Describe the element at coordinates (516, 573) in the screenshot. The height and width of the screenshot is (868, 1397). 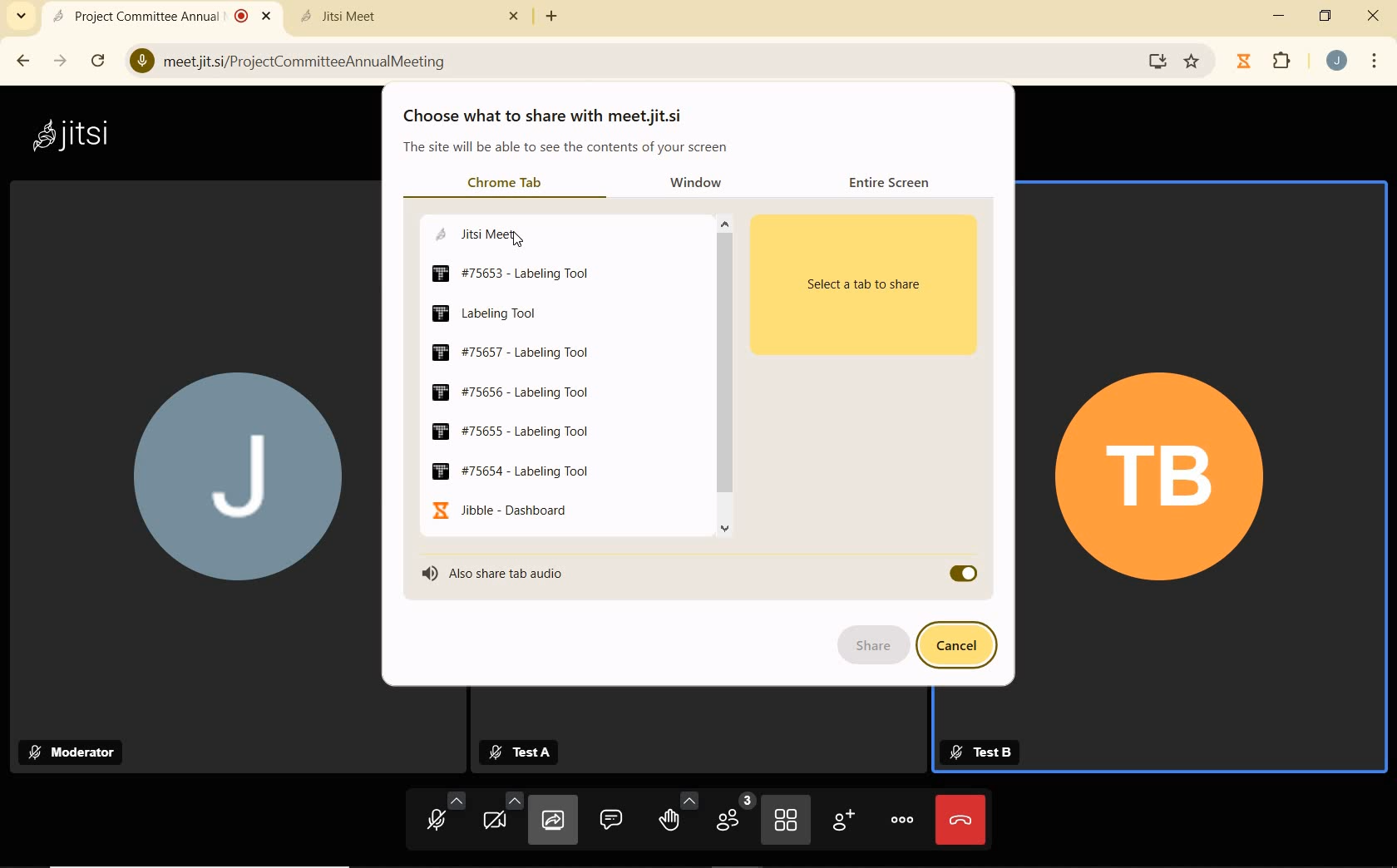
I see `ALSO SHARE TAB AUDIO` at that location.